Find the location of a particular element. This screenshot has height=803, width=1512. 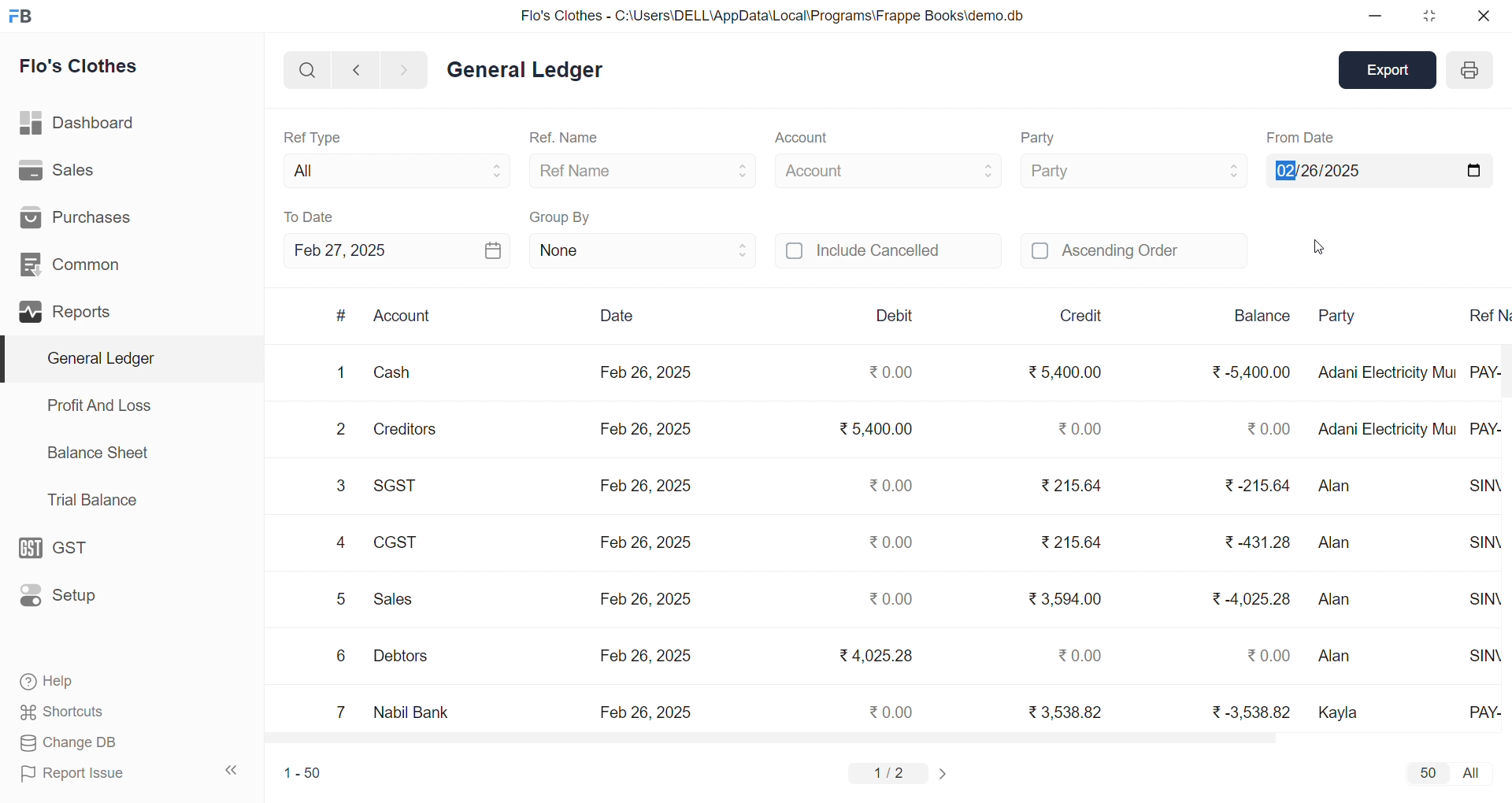

₹ 3,538.82 is located at coordinates (1065, 711).